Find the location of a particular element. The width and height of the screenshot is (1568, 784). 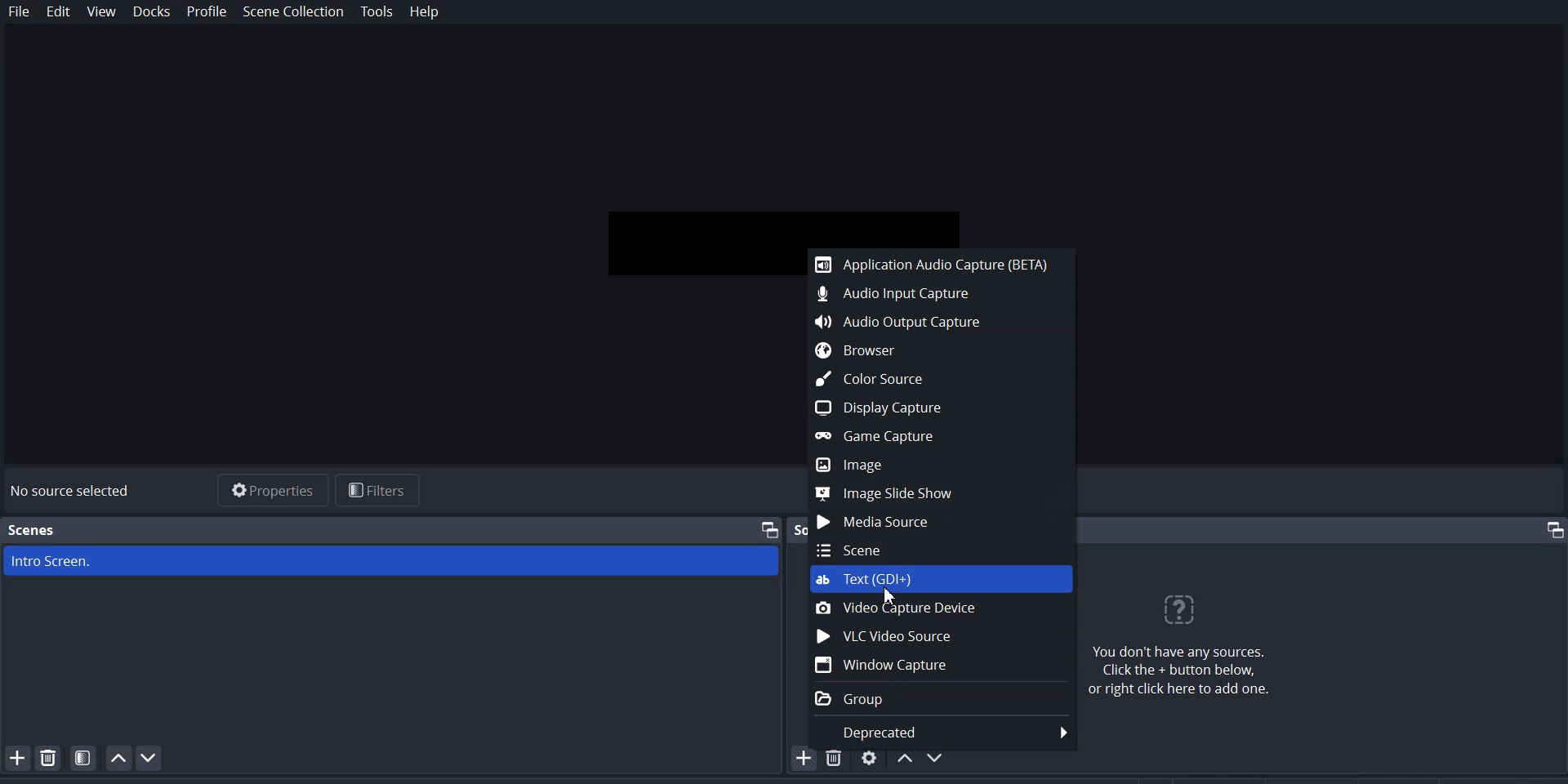

You don't have any sources. Click the + button below, or right click here to add one. is located at coordinates (1190, 645).